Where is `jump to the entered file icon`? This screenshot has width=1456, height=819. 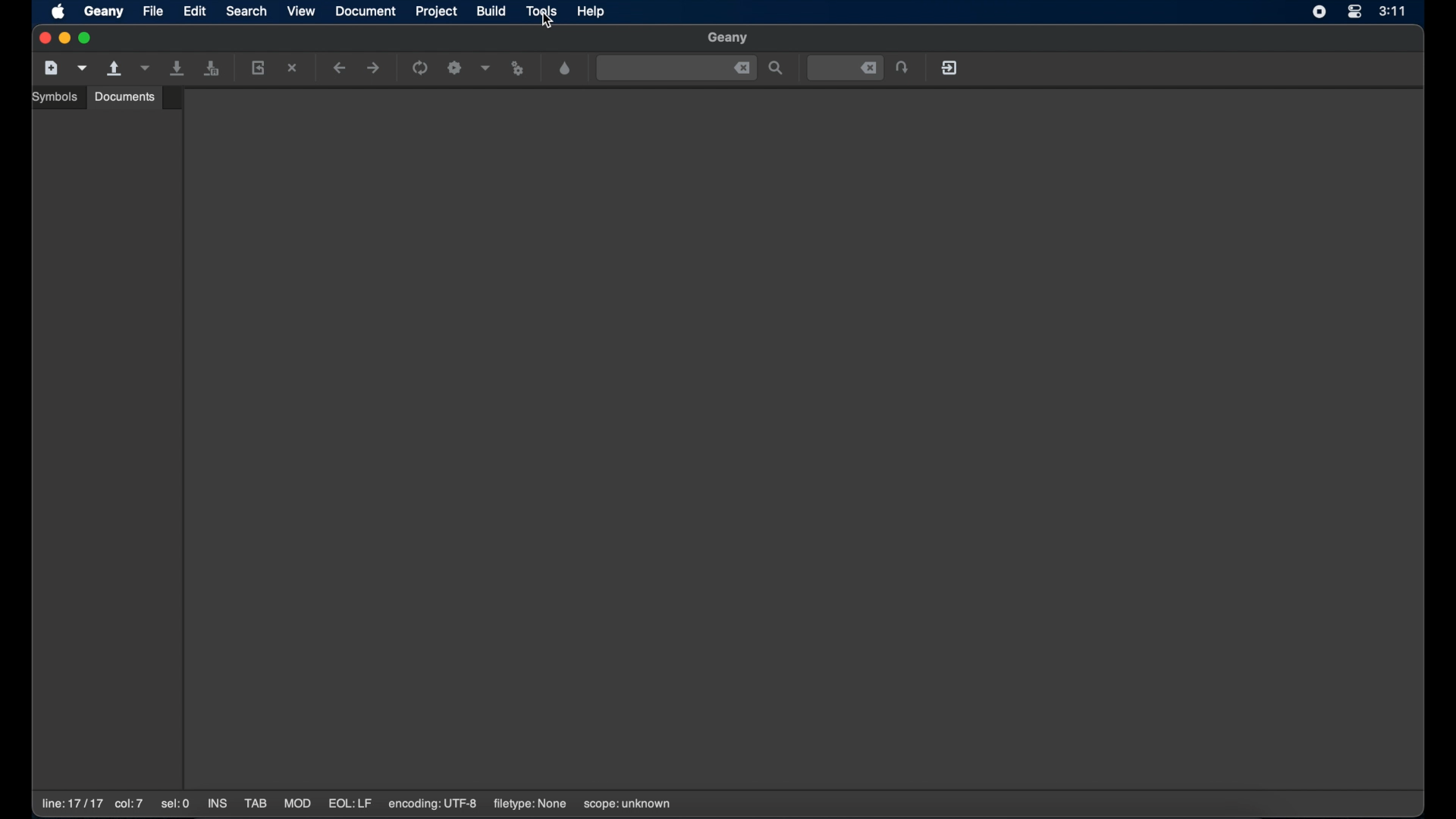 jump to the entered file icon is located at coordinates (903, 68).